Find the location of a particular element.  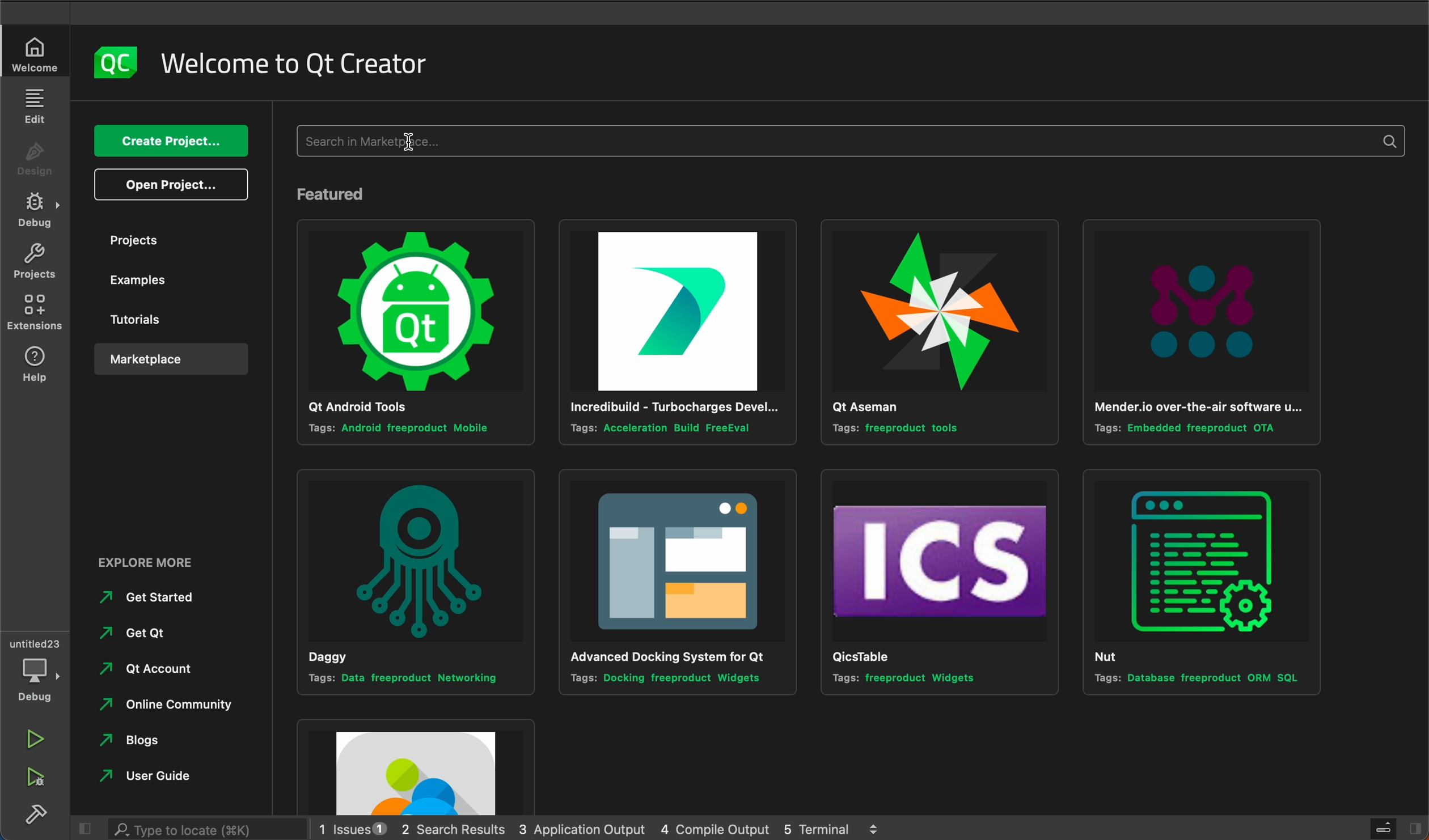

 is located at coordinates (677, 582).